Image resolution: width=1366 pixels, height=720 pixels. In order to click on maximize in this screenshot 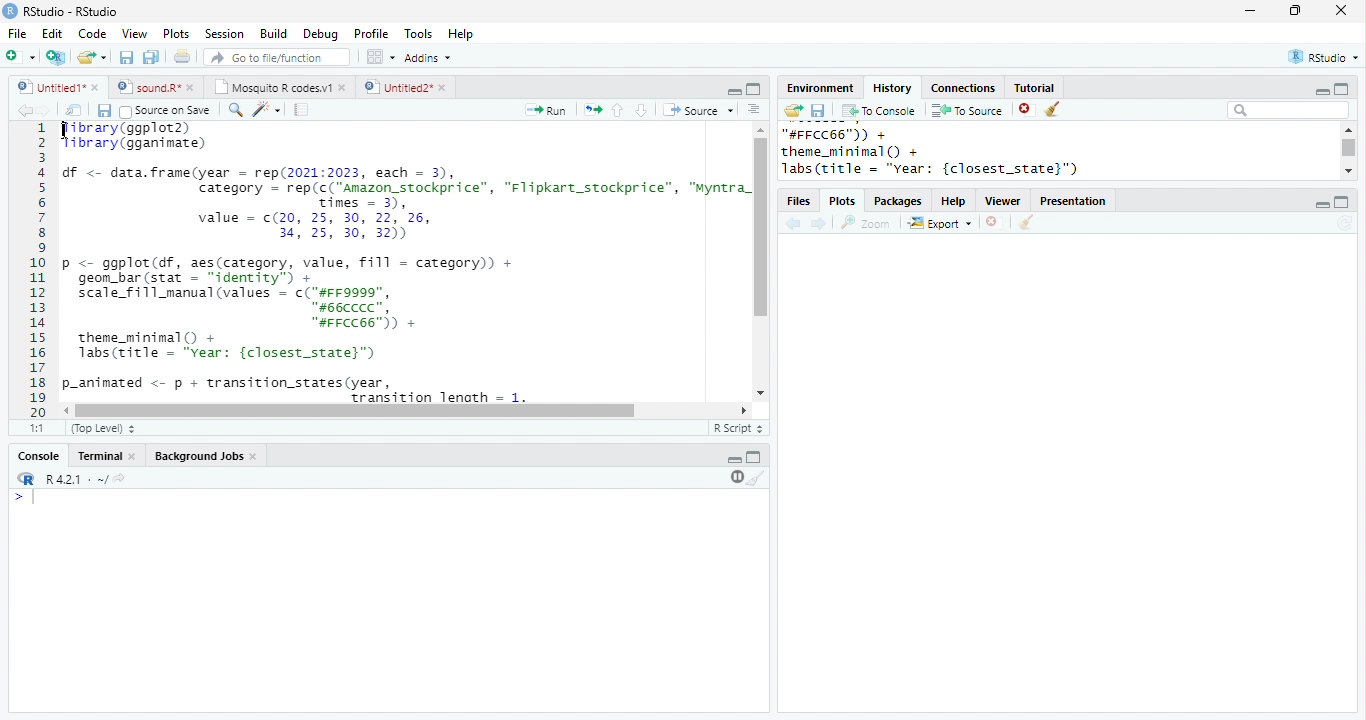, I will do `click(1342, 88)`.